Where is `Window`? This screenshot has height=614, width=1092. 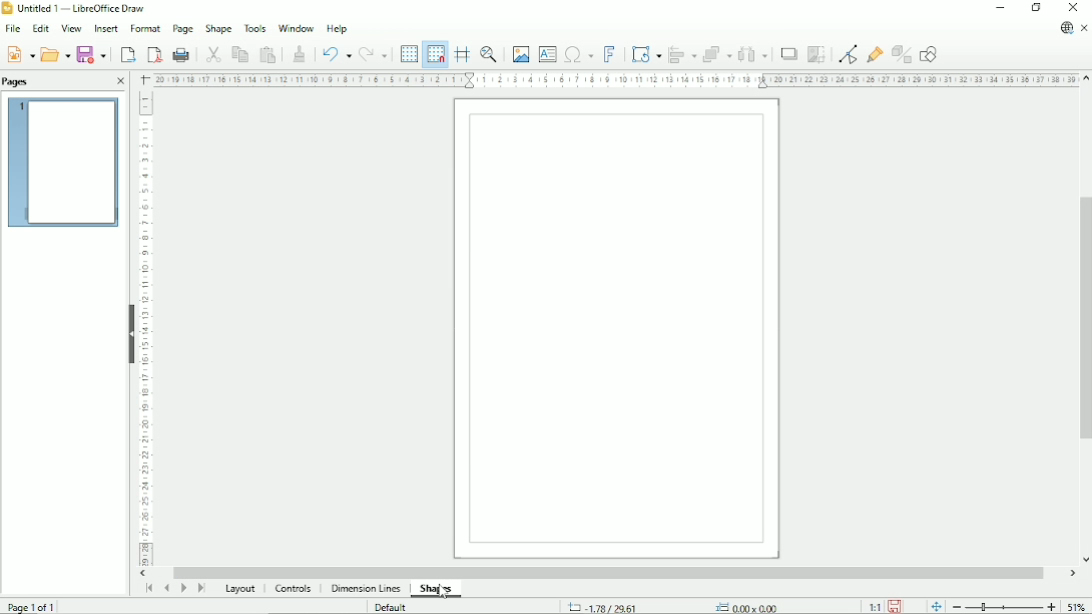
Window is located at coordinates (296, 27).